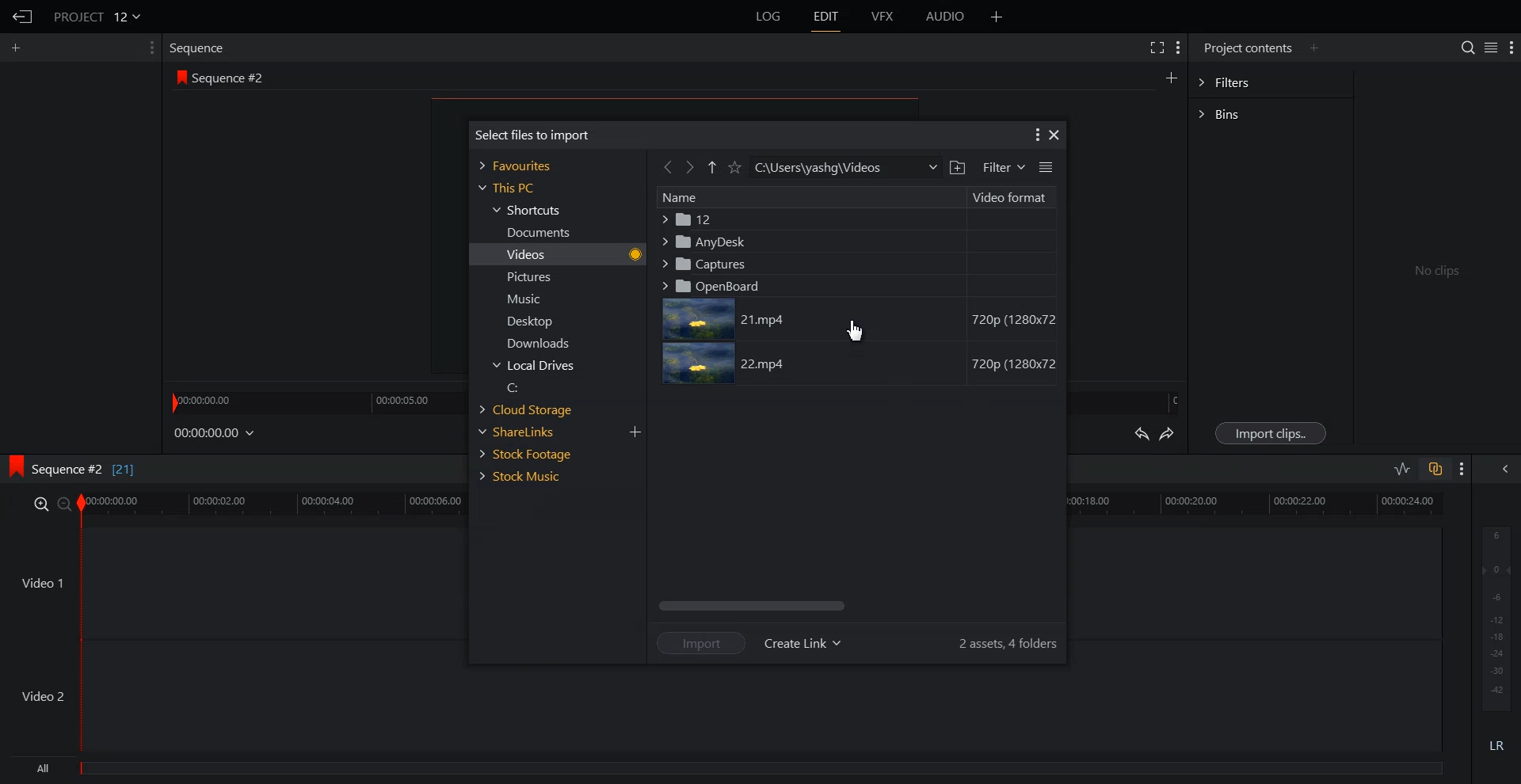  What do you see at coordinates (803, 644) in the screenshot?
I see `Create Link` at bounding box center [803, 644].